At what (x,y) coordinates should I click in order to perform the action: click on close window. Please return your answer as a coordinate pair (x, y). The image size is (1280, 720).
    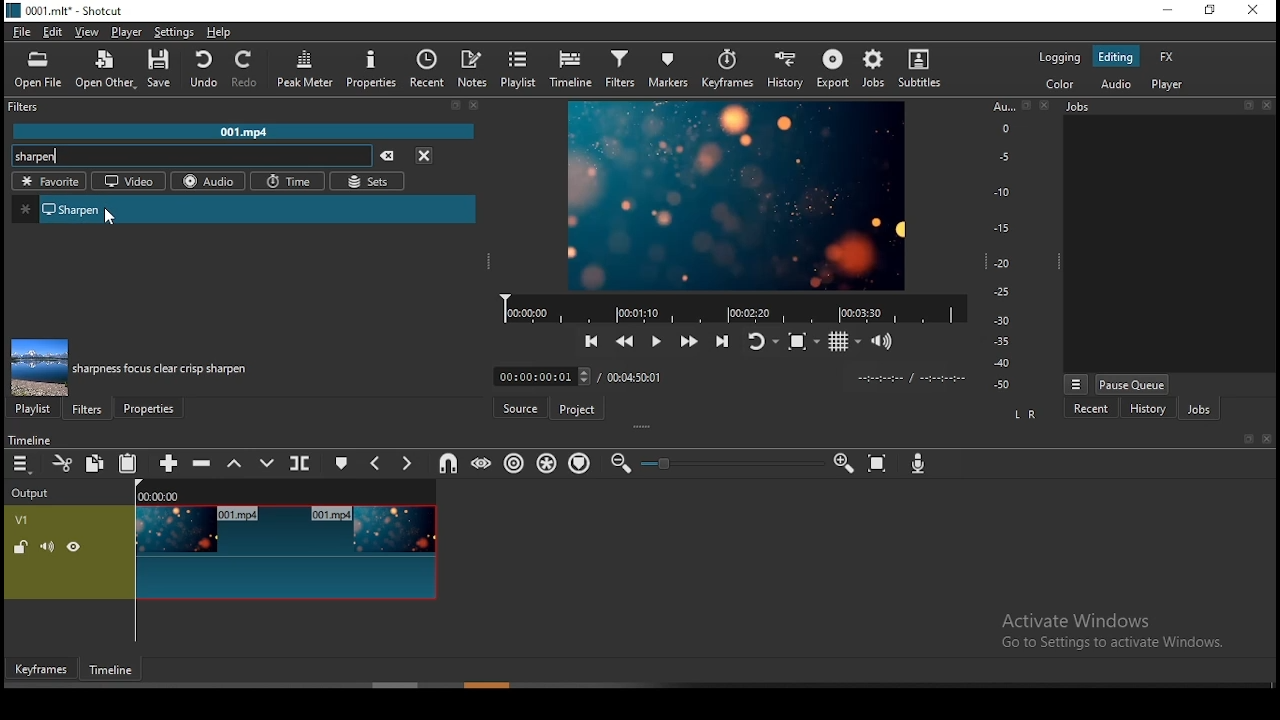
    Looking at the image, I should click on (1252, 11).